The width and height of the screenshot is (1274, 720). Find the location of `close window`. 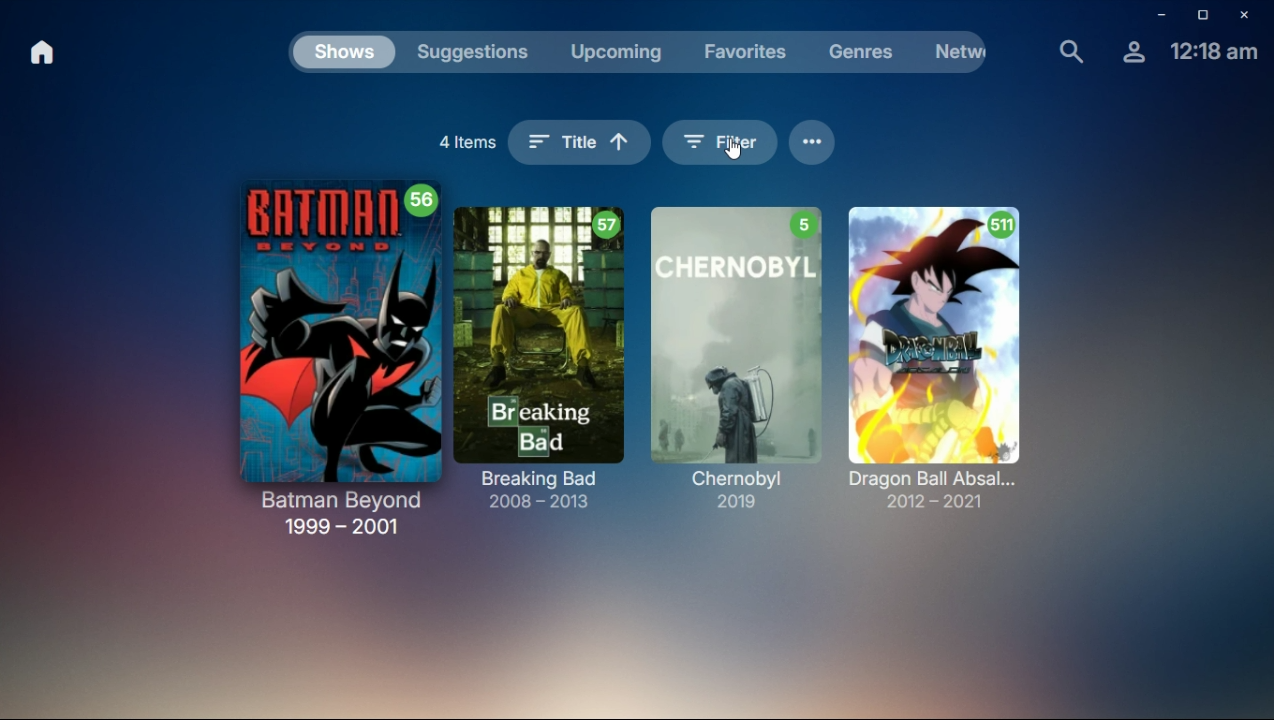

close window is located at coordinates (1251, 15).